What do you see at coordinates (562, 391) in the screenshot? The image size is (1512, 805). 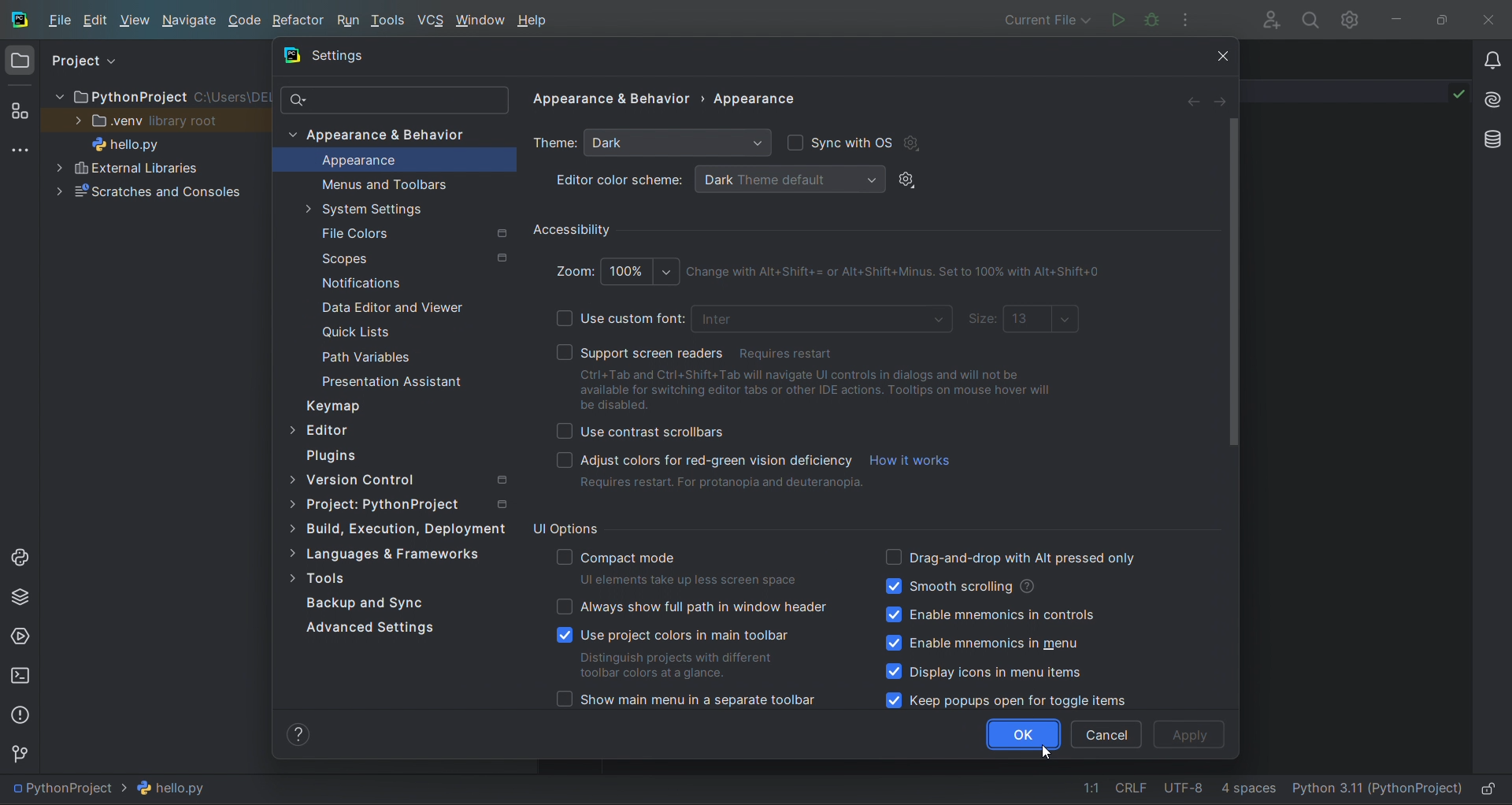 I see `checkboxes` at bounding box center [562, 391].